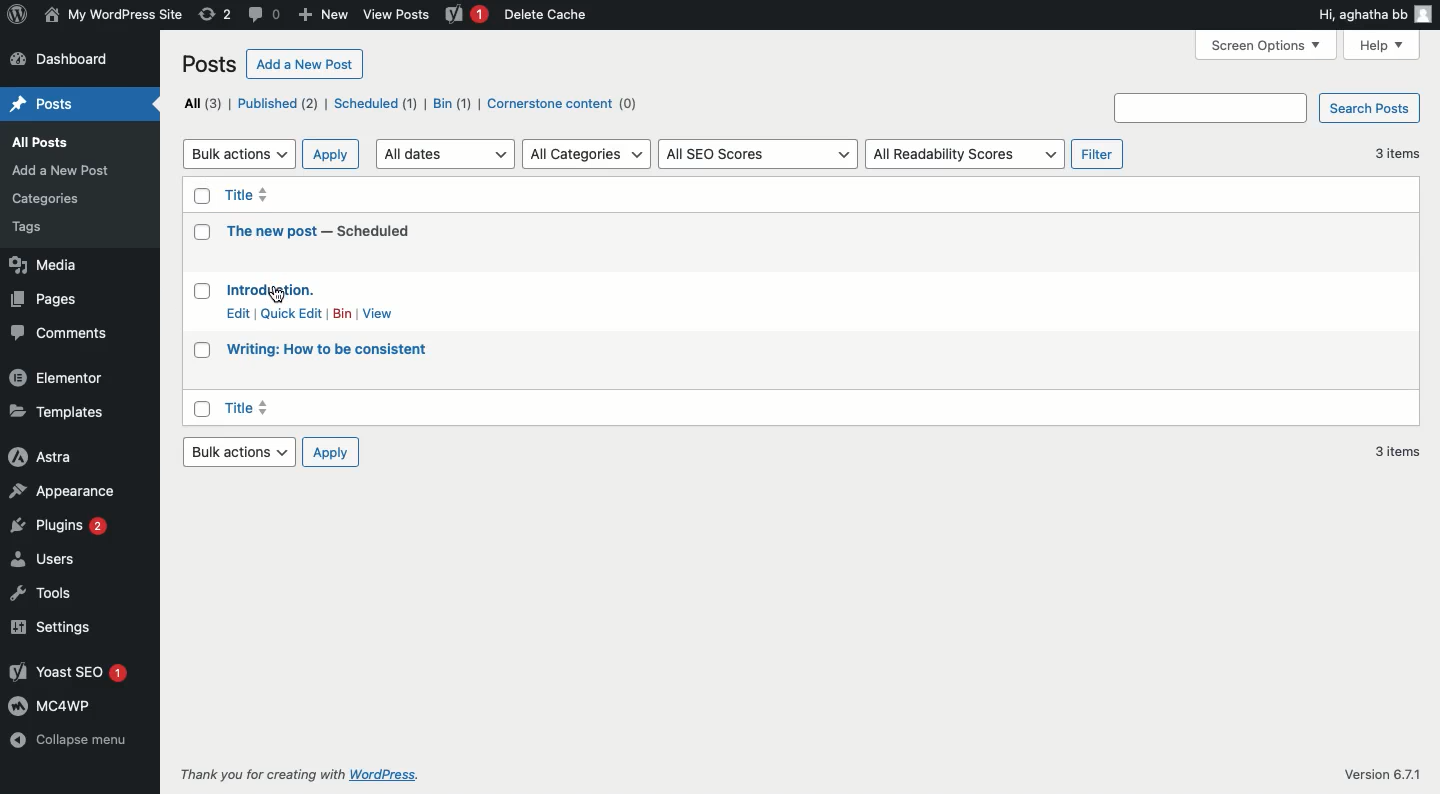  What do you see at coordinates (50, 142) in the screenshot?
I see `All Posts` at bounding box center [50, 142].